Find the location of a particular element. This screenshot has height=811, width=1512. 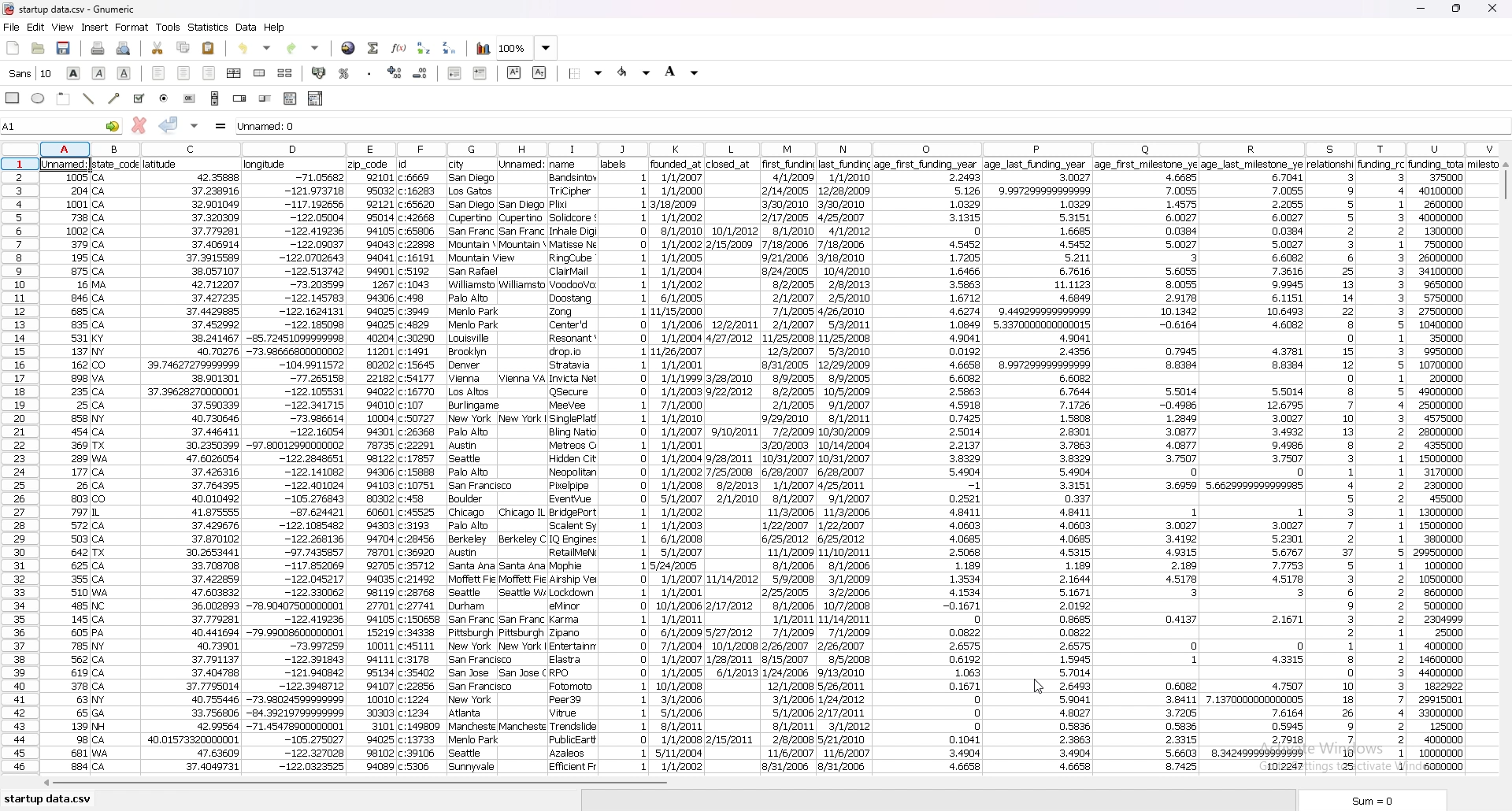

selected cell is located at coordinates (61, 125).